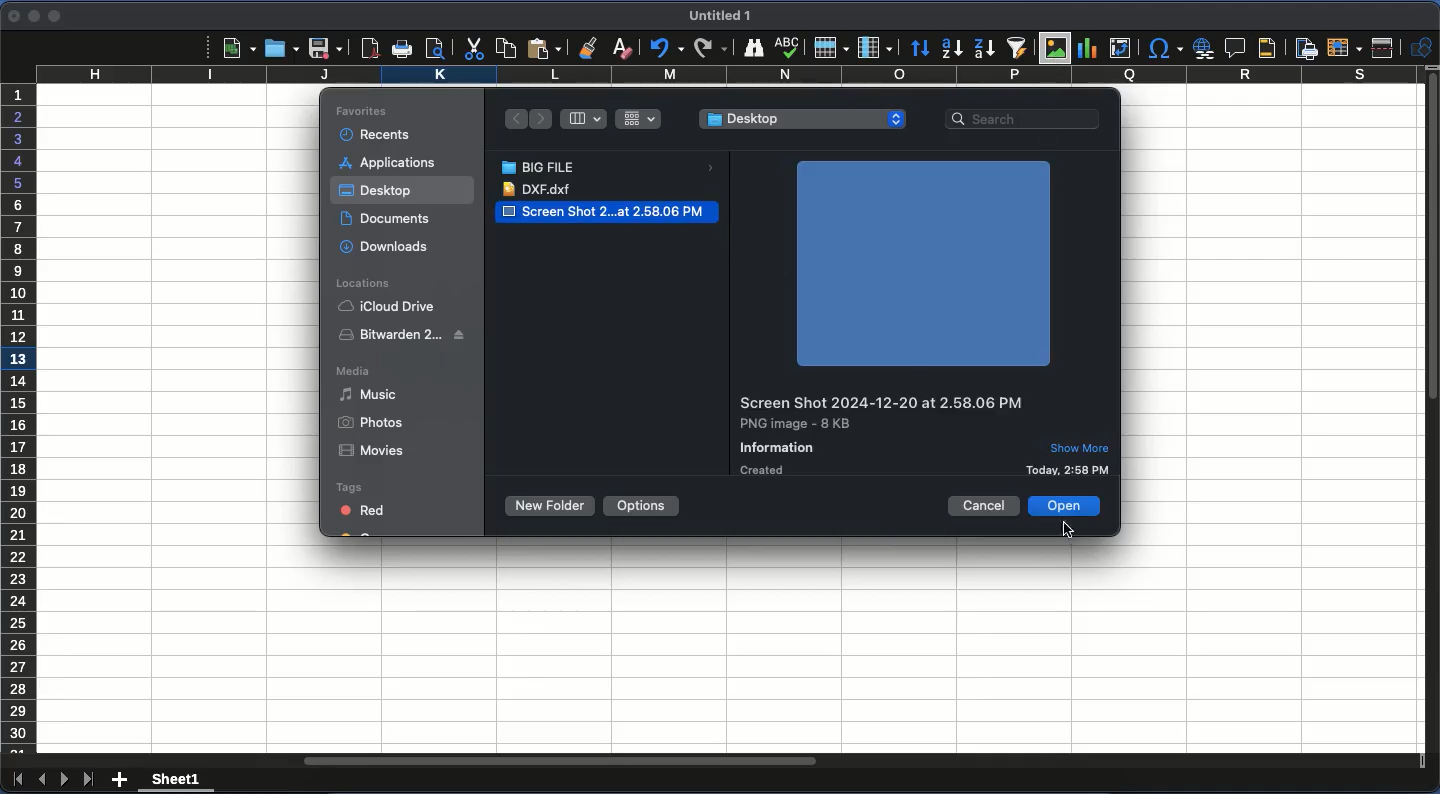  What do you see at coordinates (913, 258) in the screenshot?
I see `image` at bounding box center [913, 258].